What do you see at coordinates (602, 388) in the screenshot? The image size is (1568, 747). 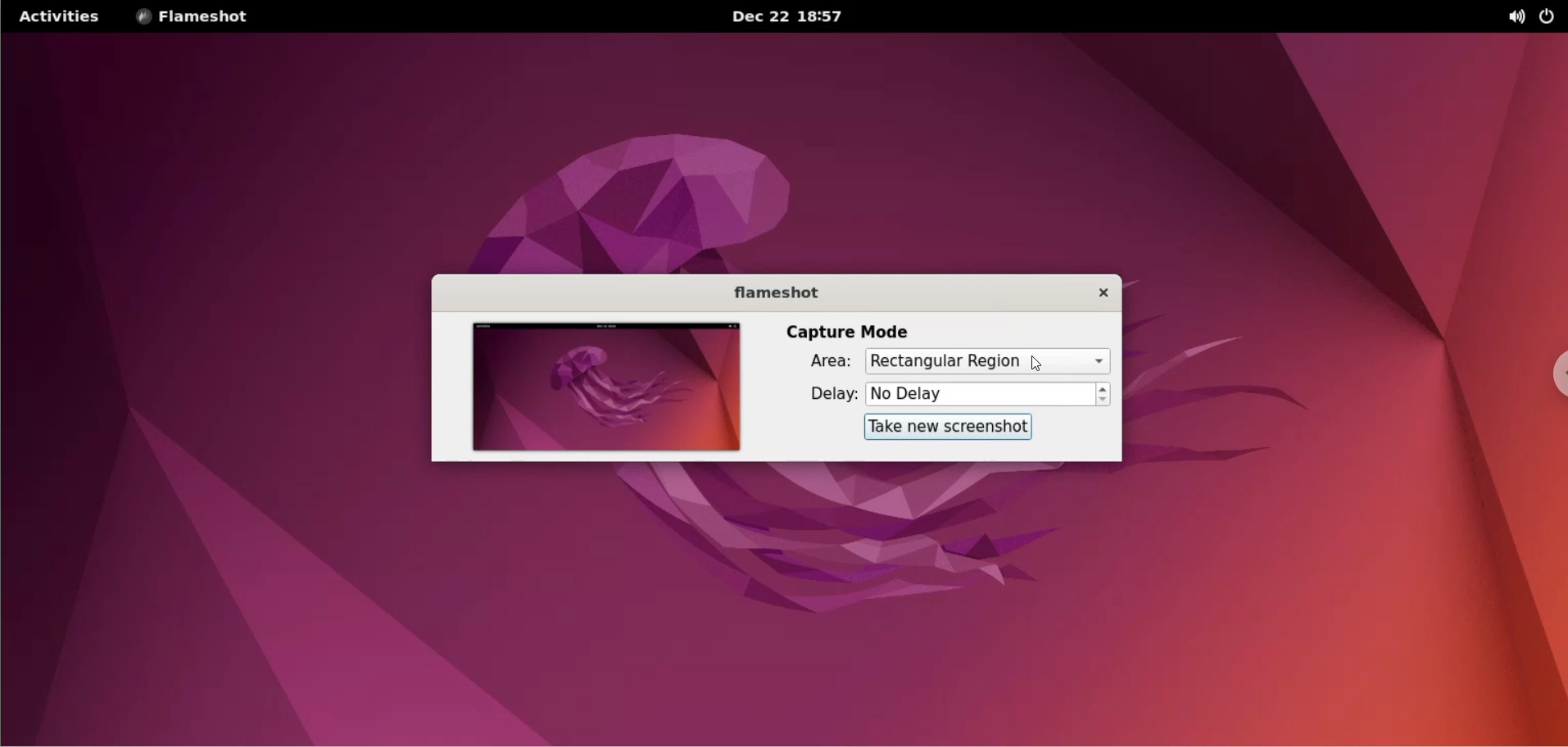 I see `screenshot preview` at bounding box center [602, 388].